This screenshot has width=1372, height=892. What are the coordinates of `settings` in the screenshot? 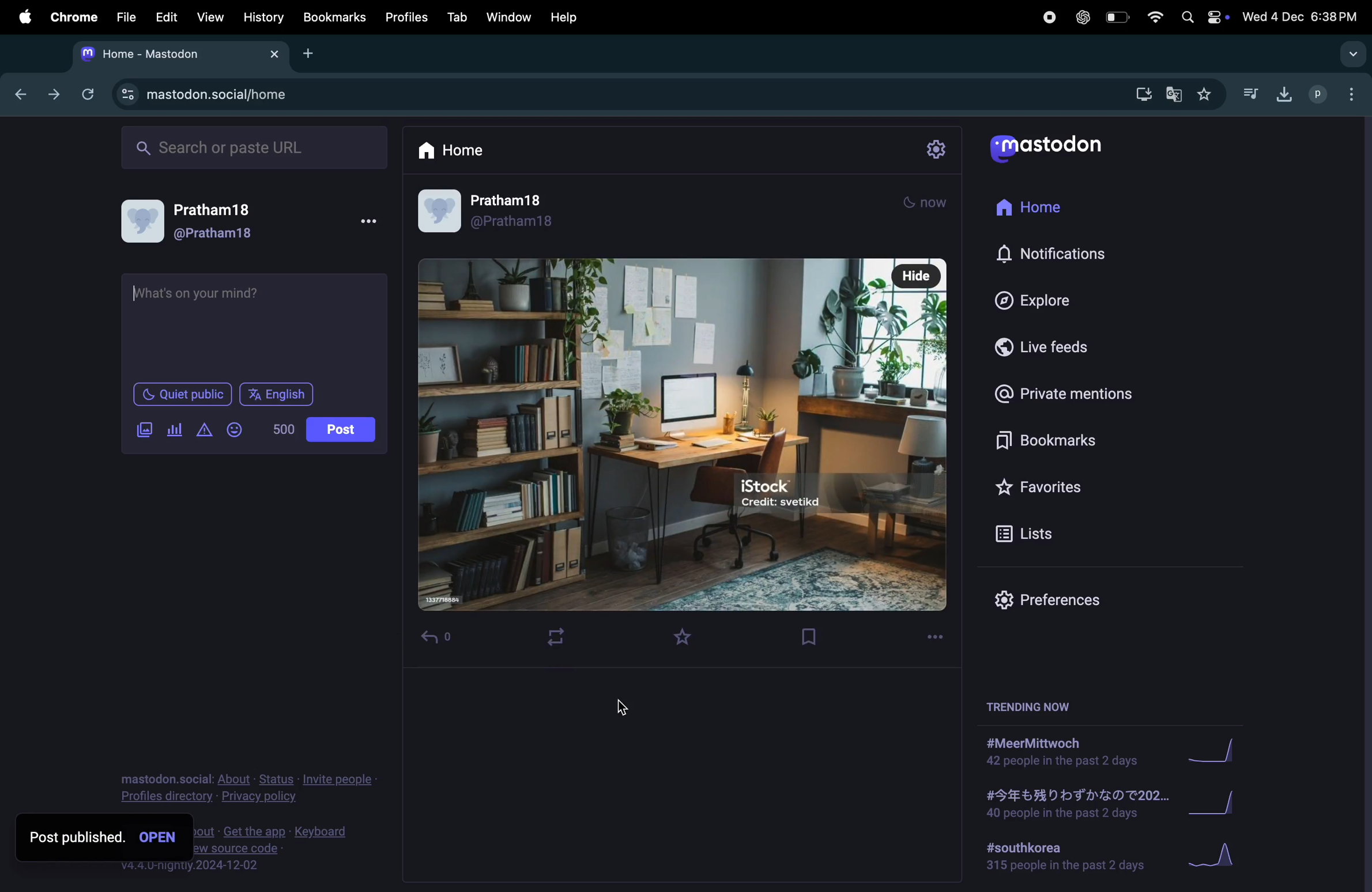 It's located at (933, 149).